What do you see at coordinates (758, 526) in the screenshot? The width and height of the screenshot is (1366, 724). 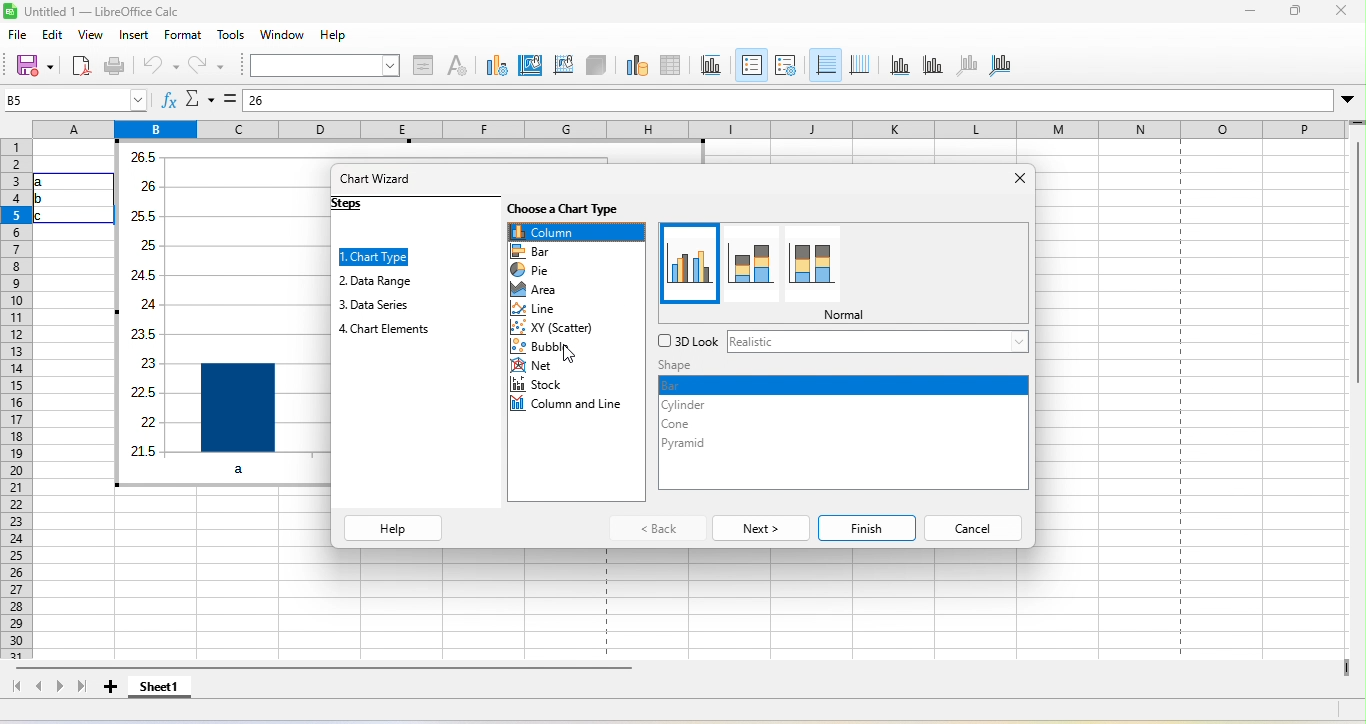 I see `next` at bounding box center [758, 526].